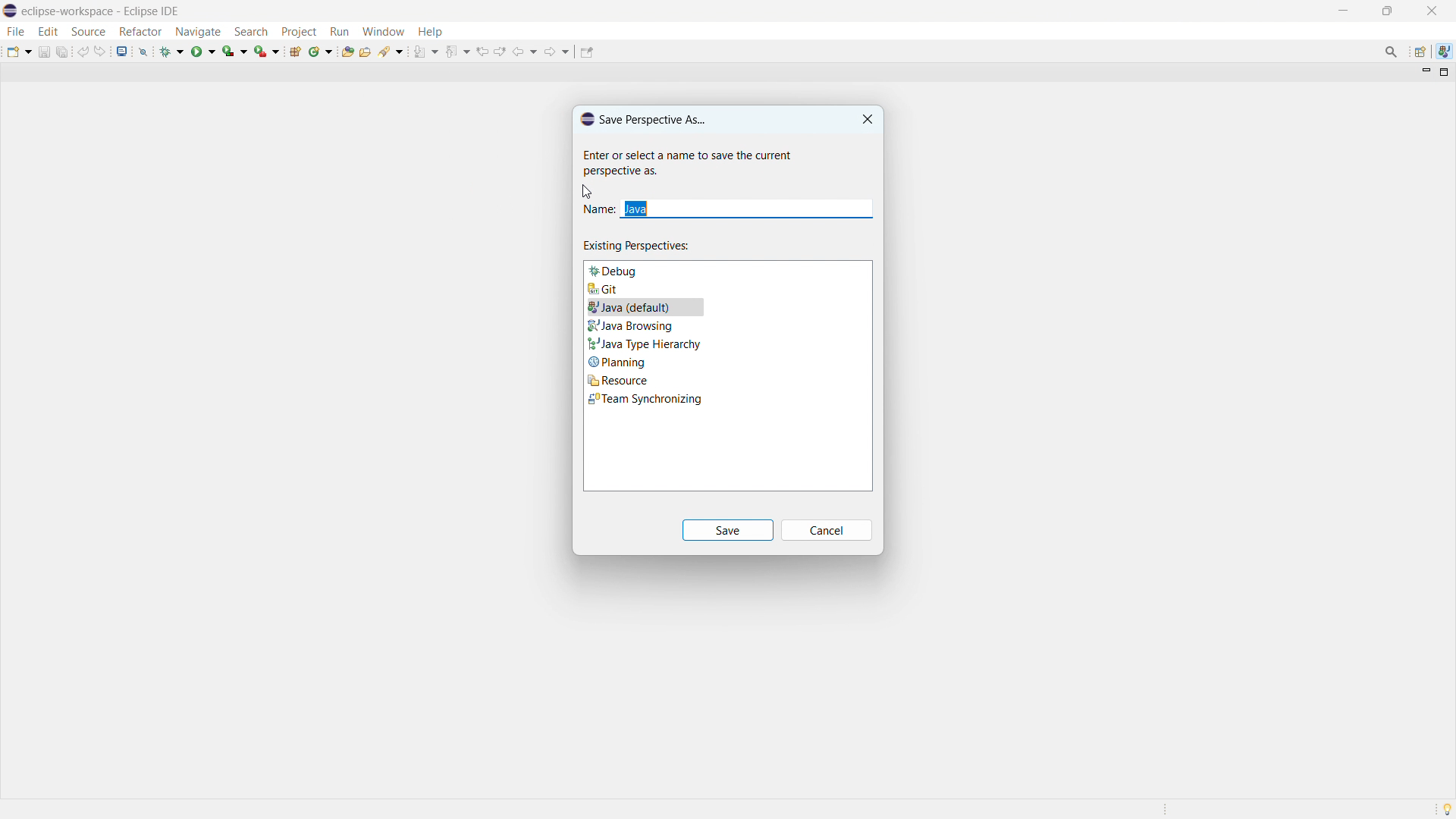 The width and height of the screenshot is (1456, 819). Describe the element at coordinates (173, 51) in the screenshot. I see `debug` at that location.